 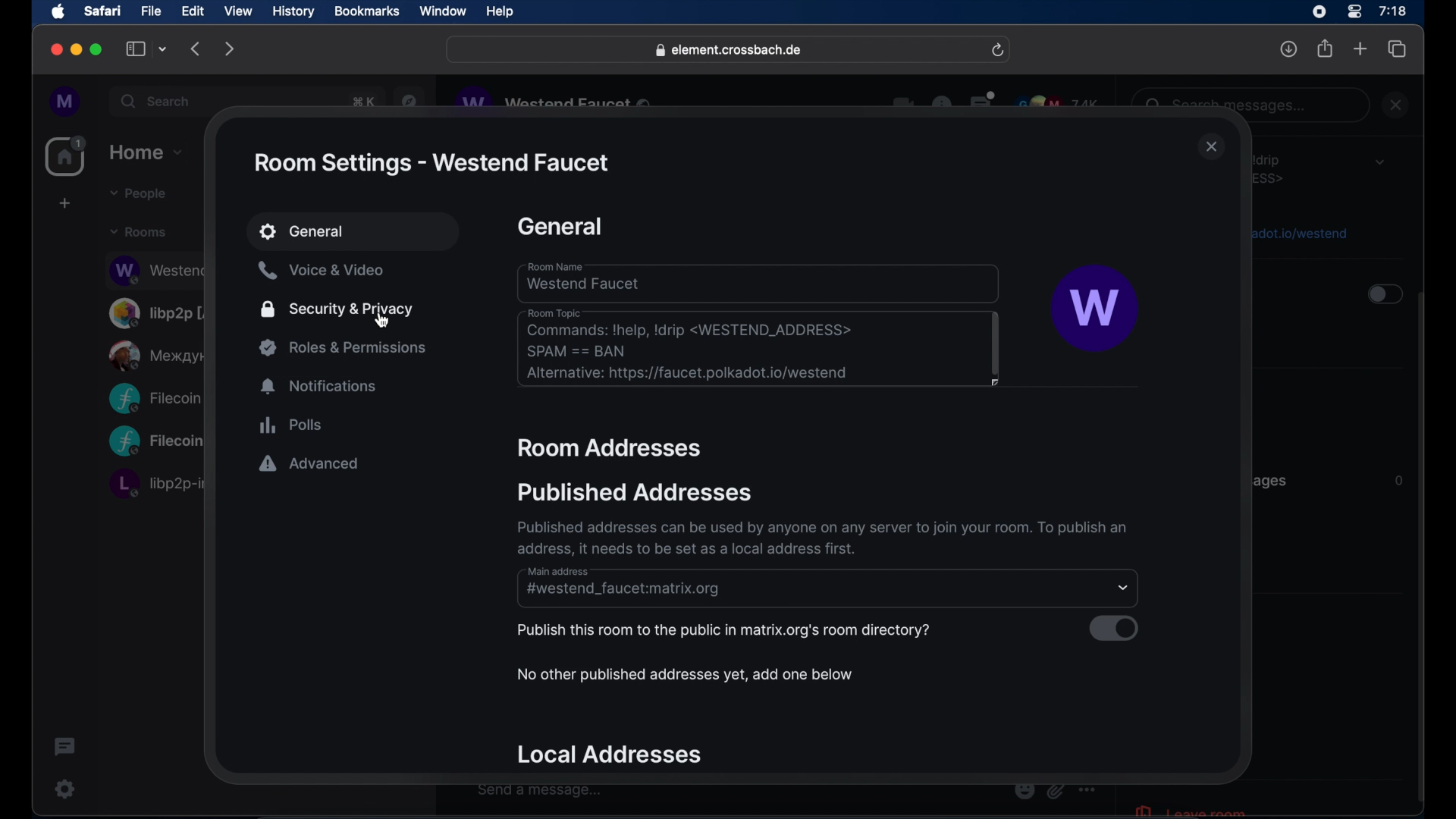 What do you see at coordinates (66, 747) in the screenshot?
I see `thread activity` at bounding box center [66, 747].